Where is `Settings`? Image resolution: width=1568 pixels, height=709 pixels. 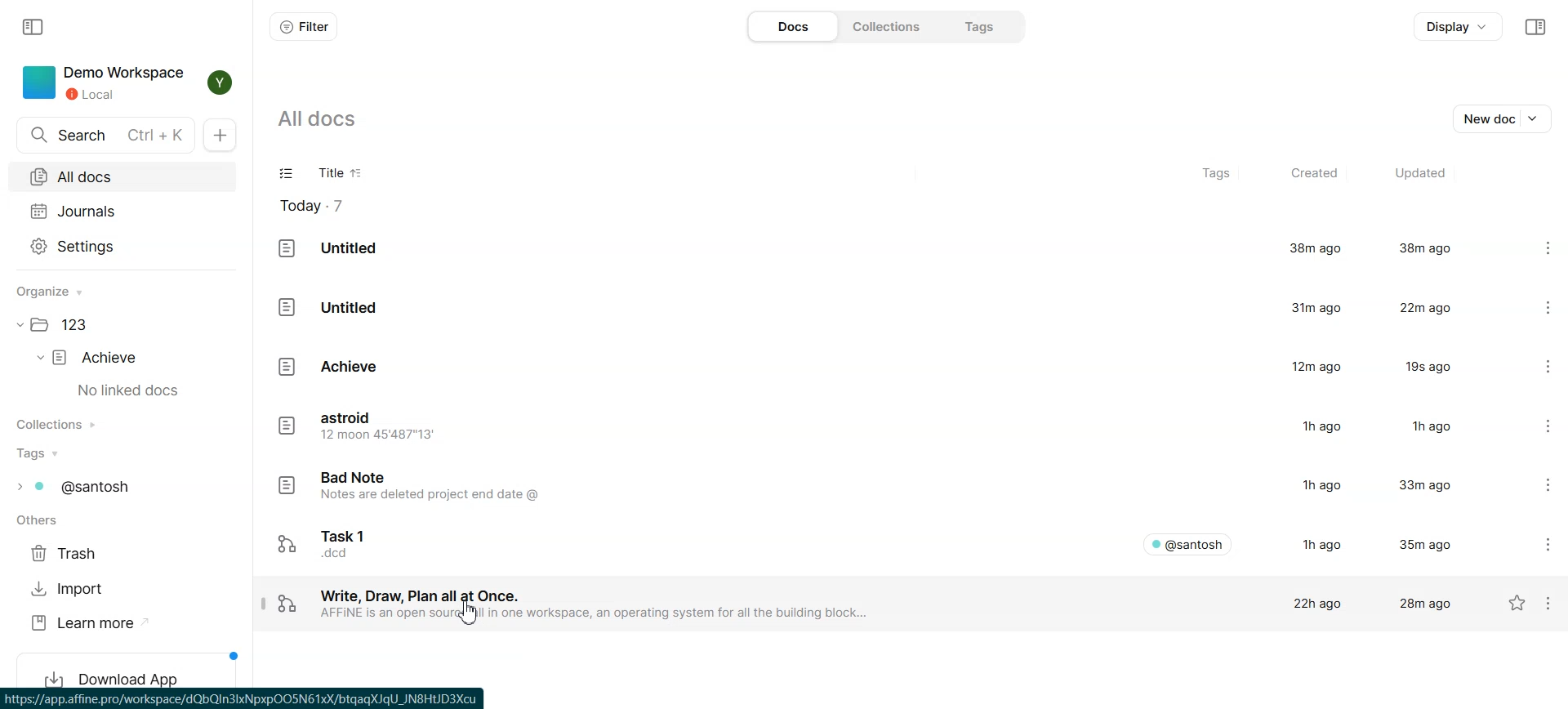 Settings is located at coordinates (1535, 305).